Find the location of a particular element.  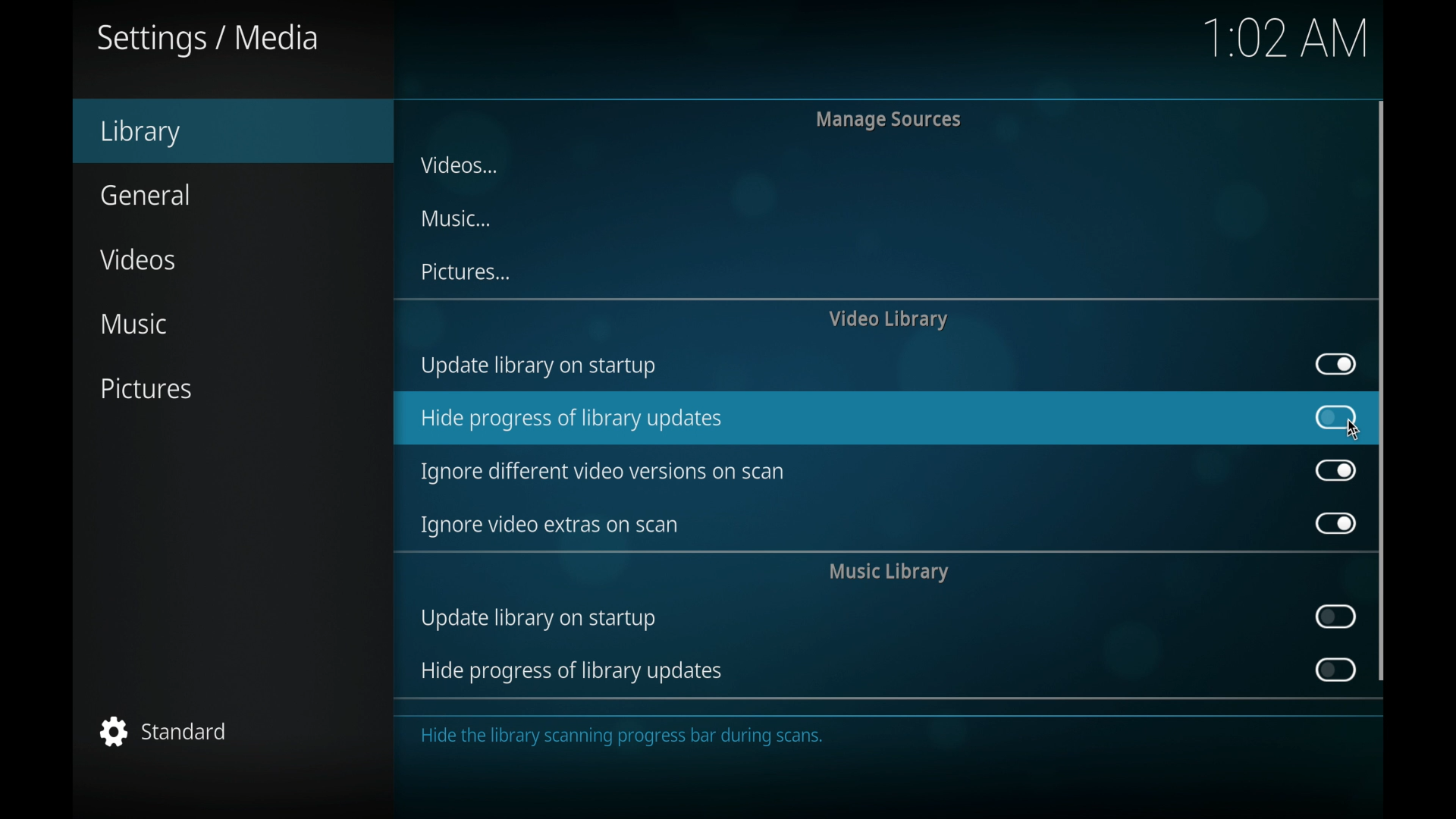

videos is located at coordinates (460, 165).